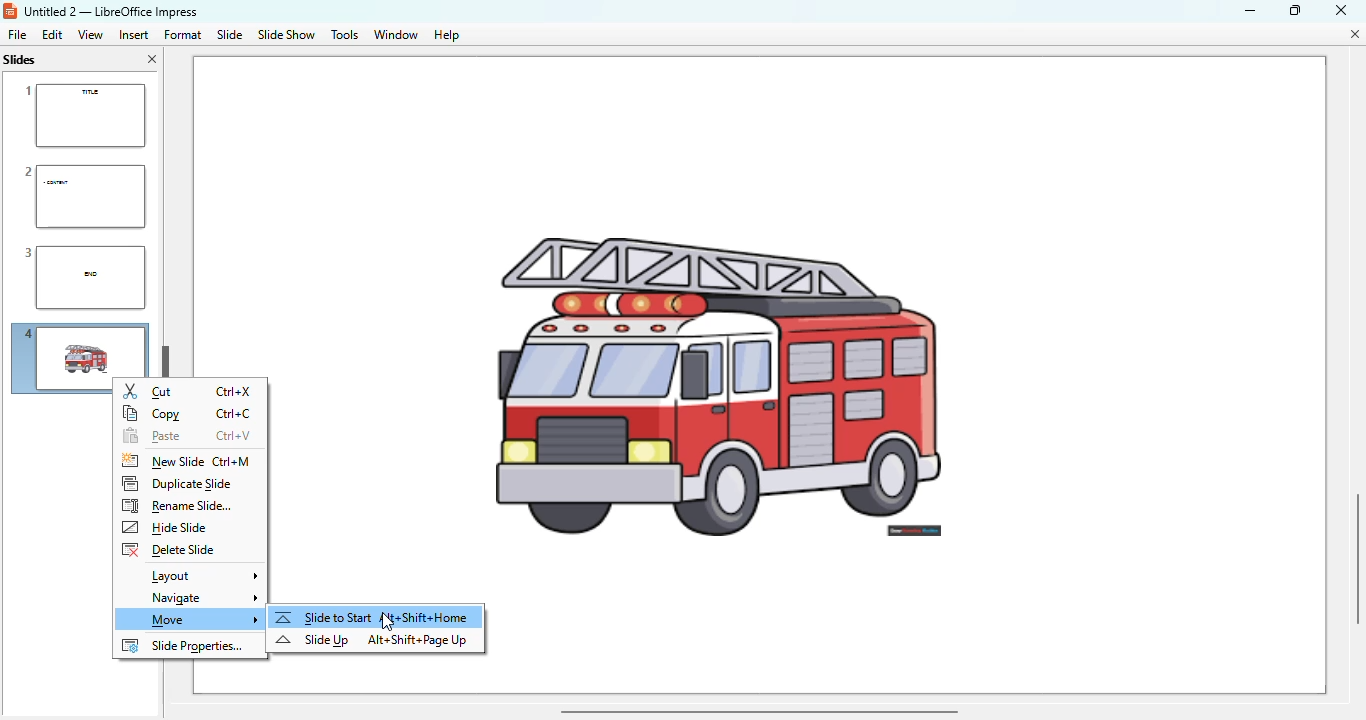 This screenshot has width=1366, height=720. I want to click on shortcut for cut, so click(236, 392).